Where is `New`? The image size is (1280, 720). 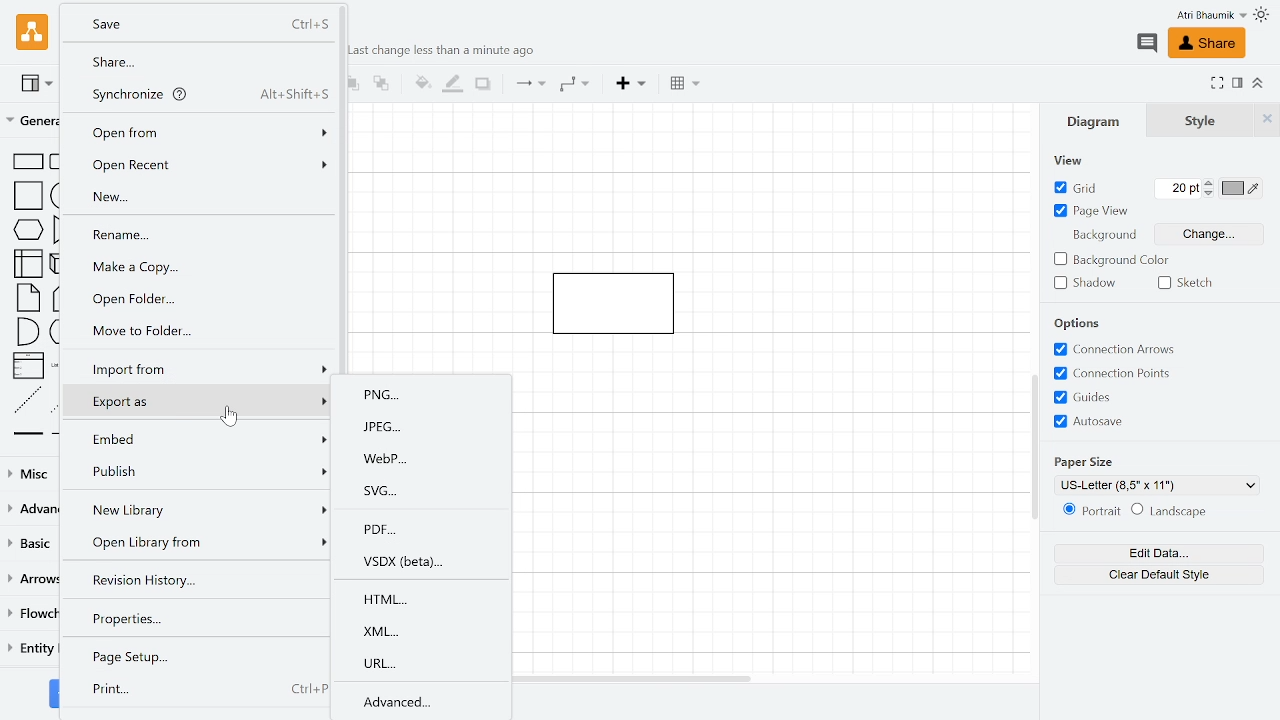 New is located at coordinates (196, 197).